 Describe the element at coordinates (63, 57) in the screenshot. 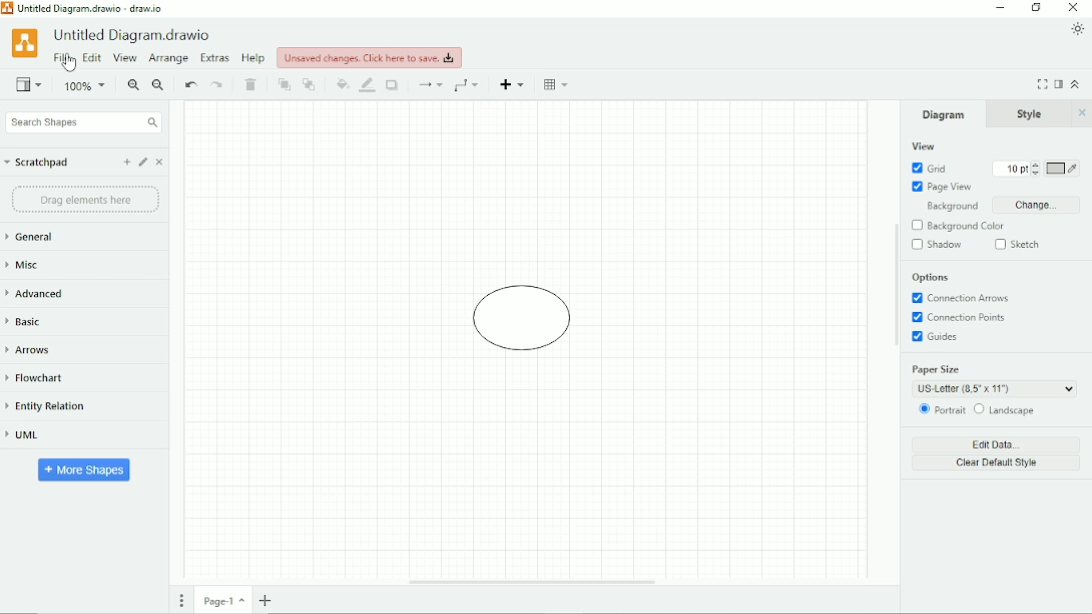

I see `File` at that location.